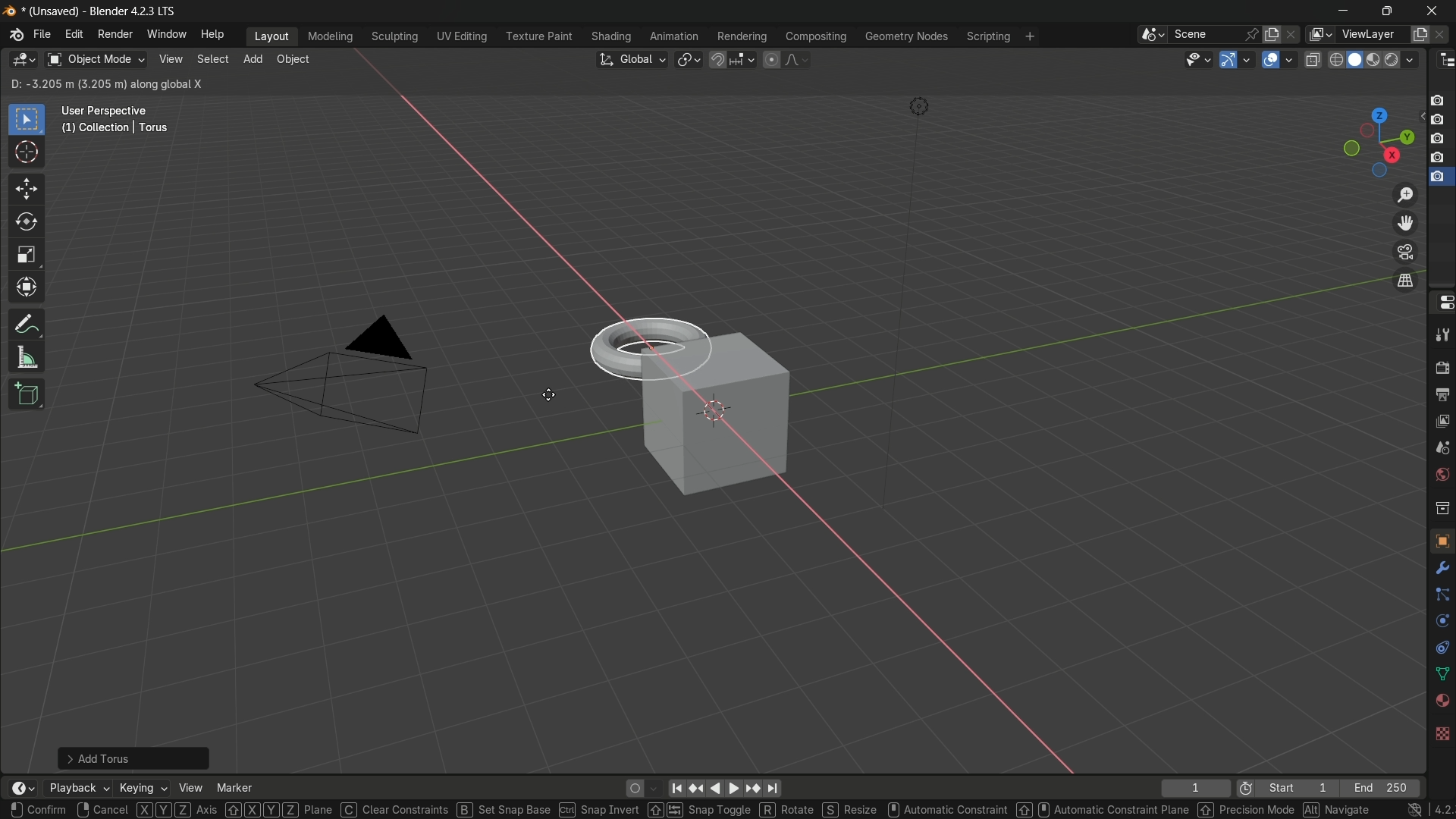 The image size is (1456, 819). I want to click on object, so click(293, 59).